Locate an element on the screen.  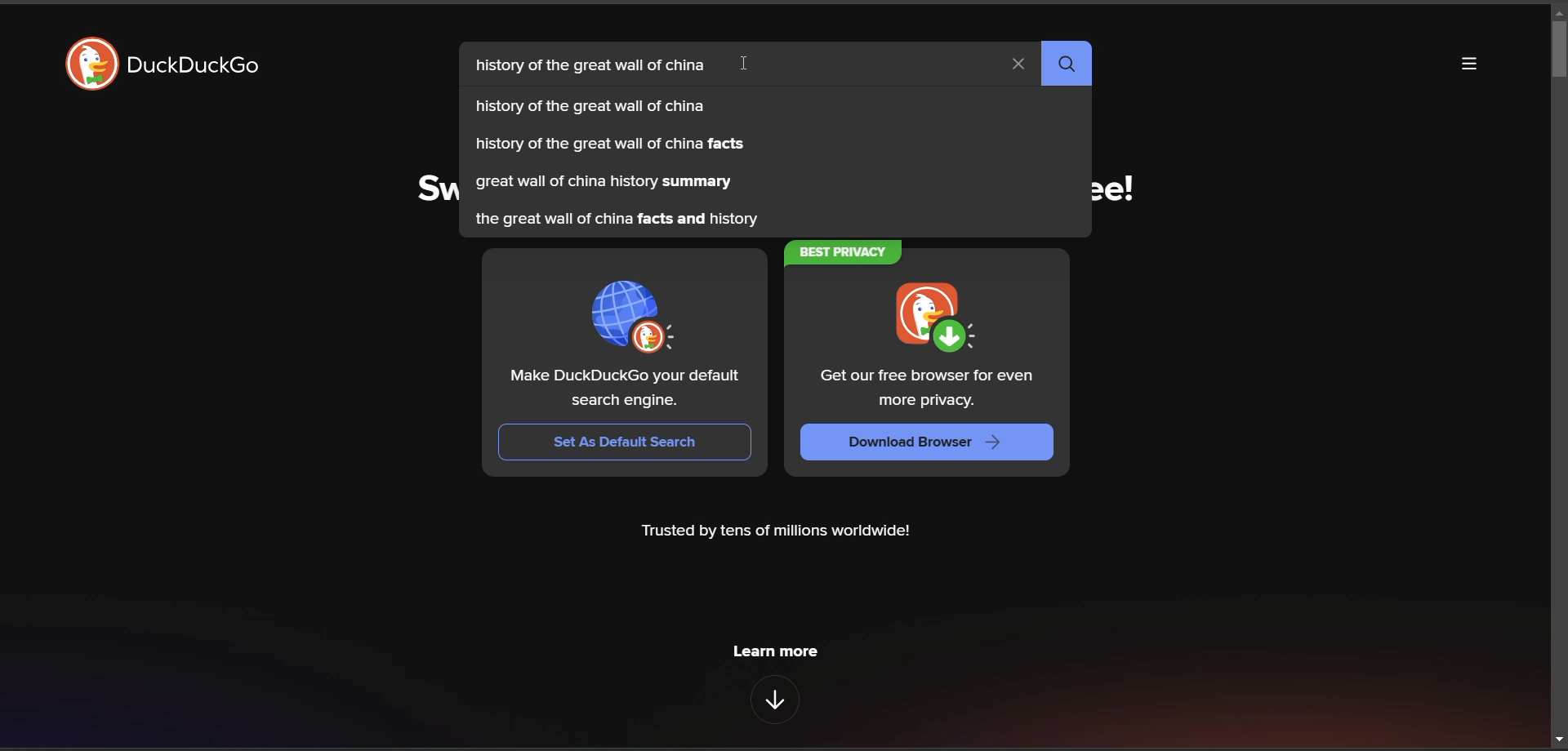
features is located at coordinates (774, 700).